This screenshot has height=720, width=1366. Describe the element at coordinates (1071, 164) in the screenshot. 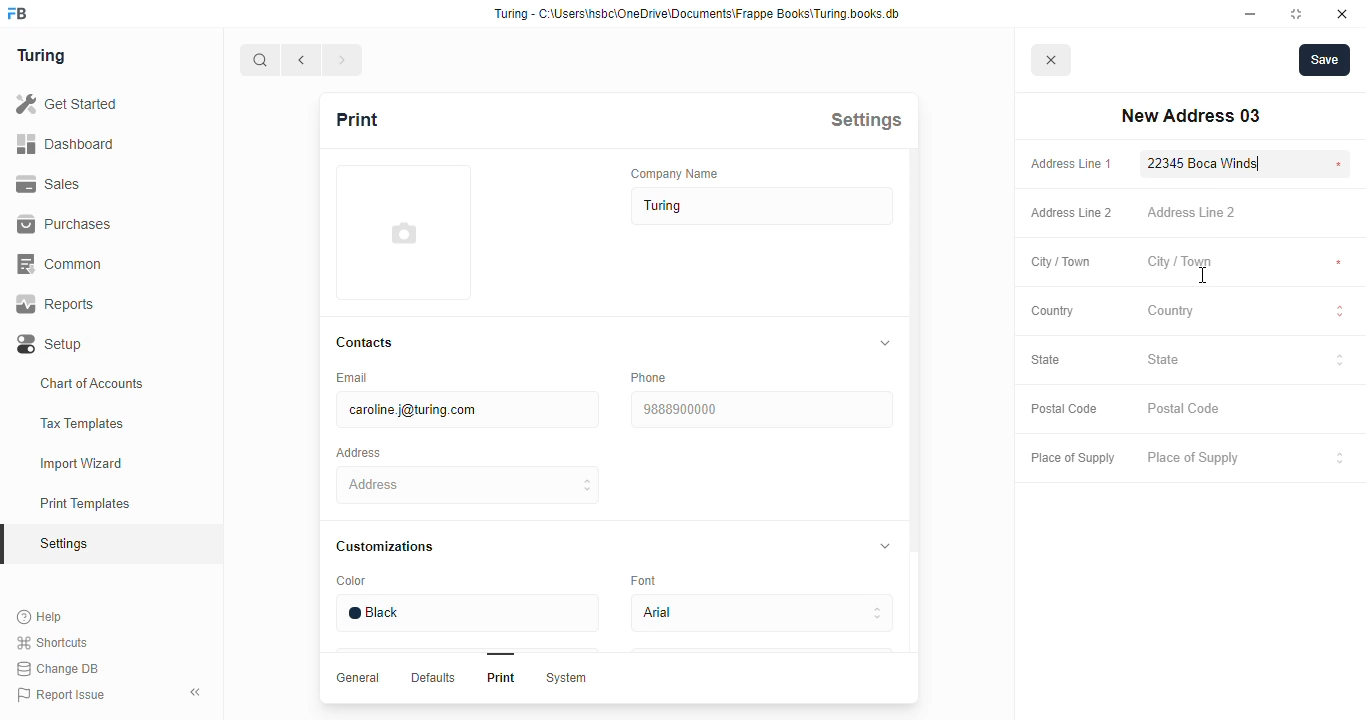

I see `address line 1` at that location.